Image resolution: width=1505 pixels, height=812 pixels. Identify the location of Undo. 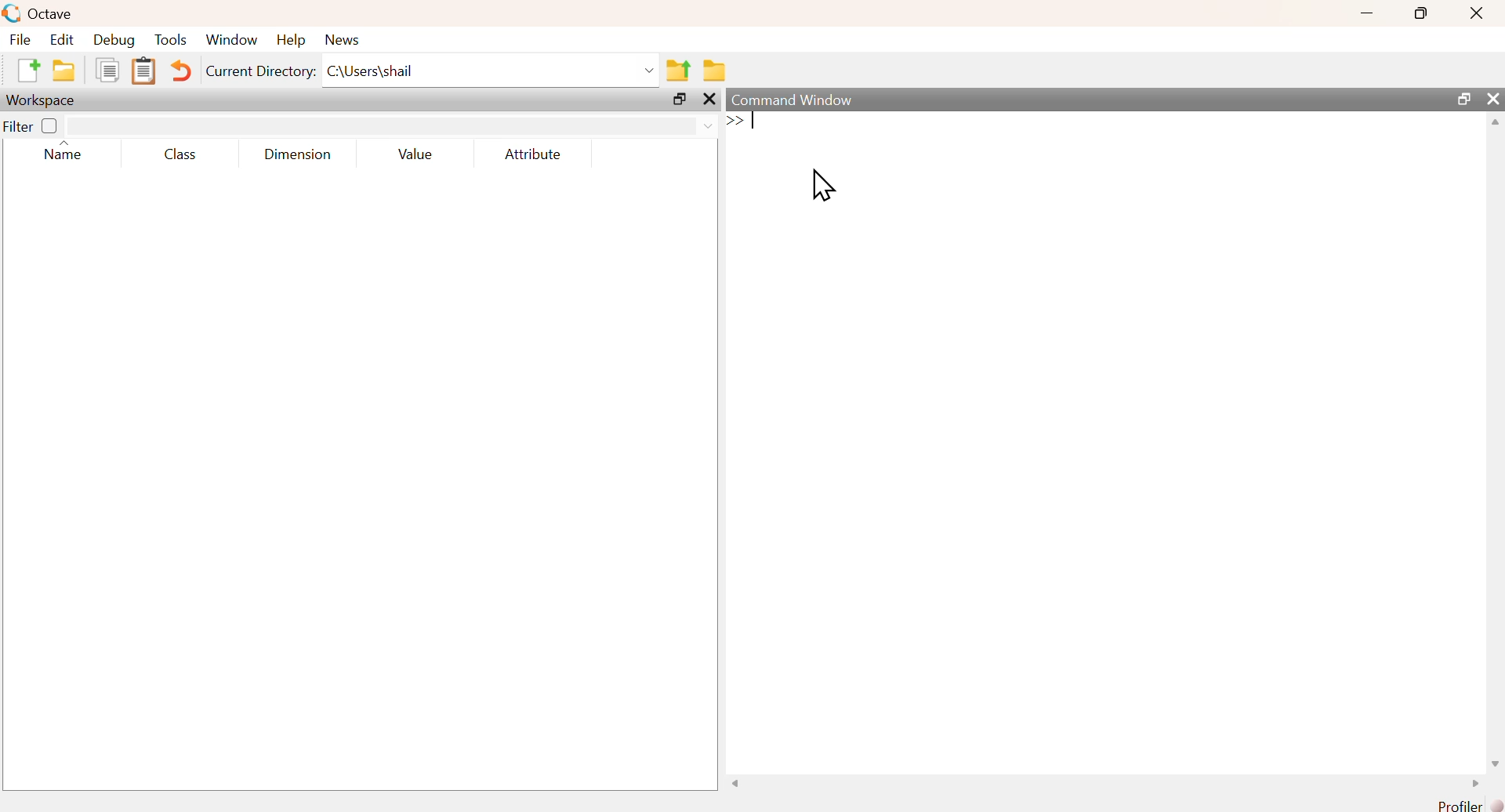
(182, 70).